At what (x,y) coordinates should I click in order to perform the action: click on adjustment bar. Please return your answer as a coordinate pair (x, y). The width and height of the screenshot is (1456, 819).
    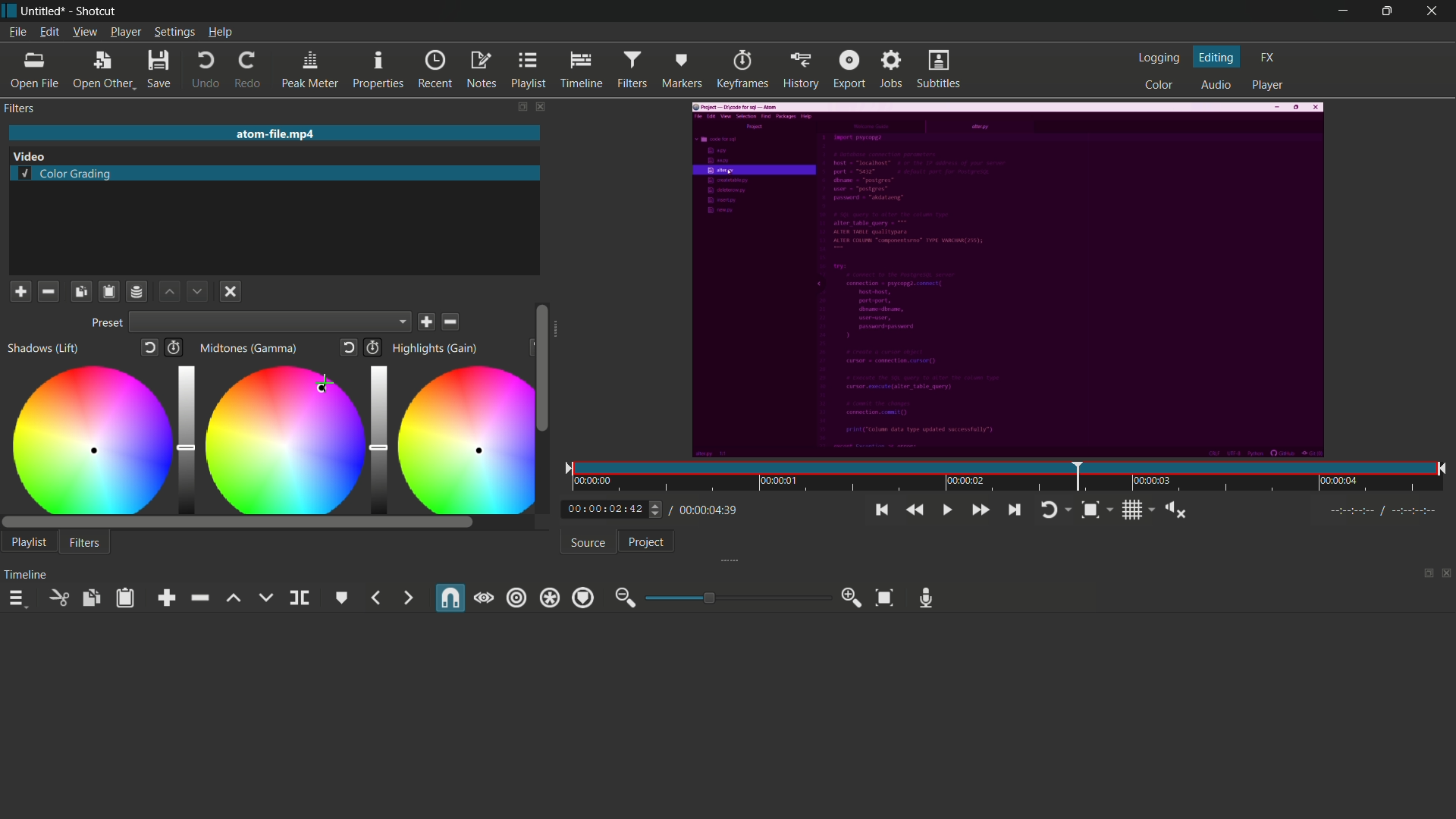
    Looking at the image, I should click on (185, 438).